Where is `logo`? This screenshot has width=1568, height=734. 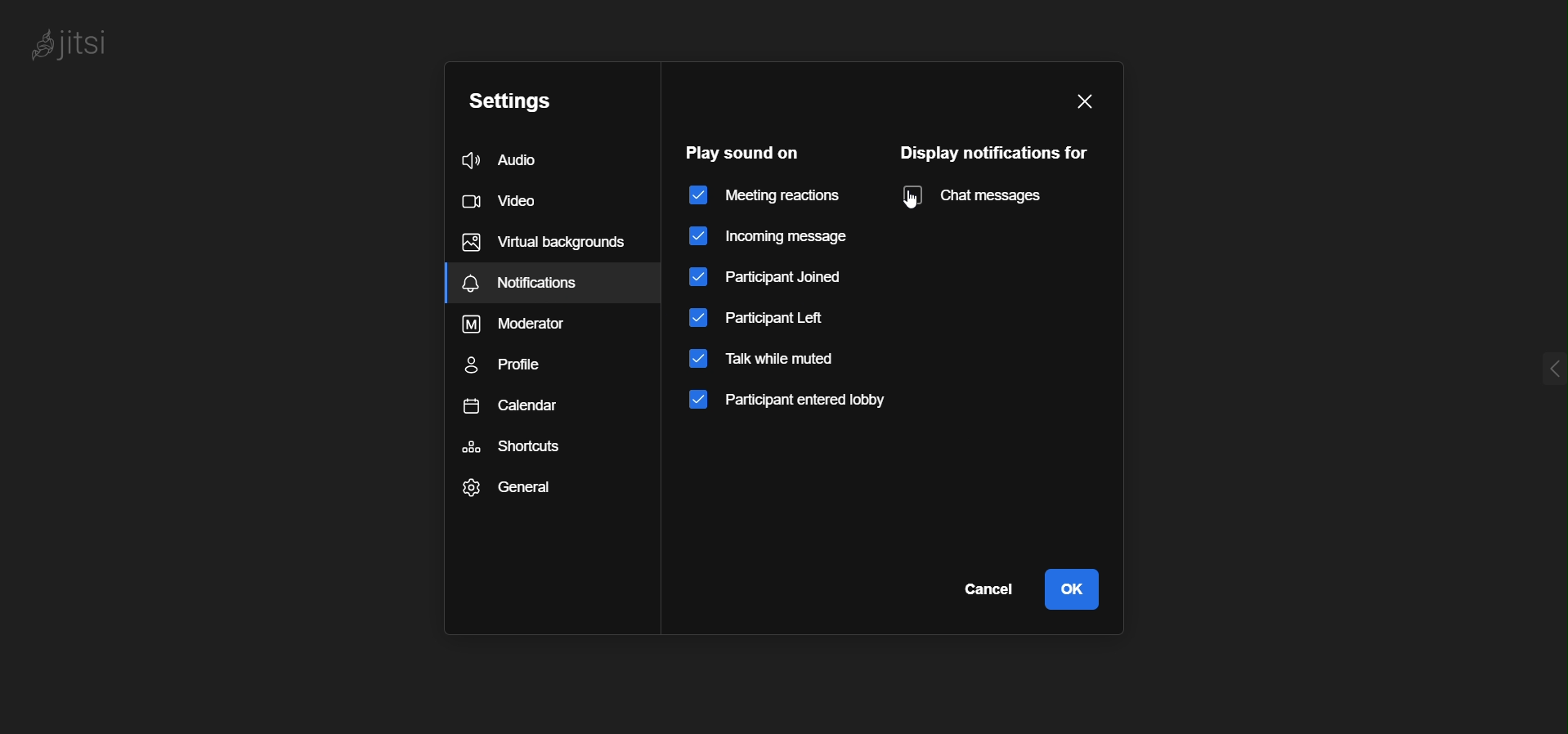 logo is located at coordinates (90, 46).